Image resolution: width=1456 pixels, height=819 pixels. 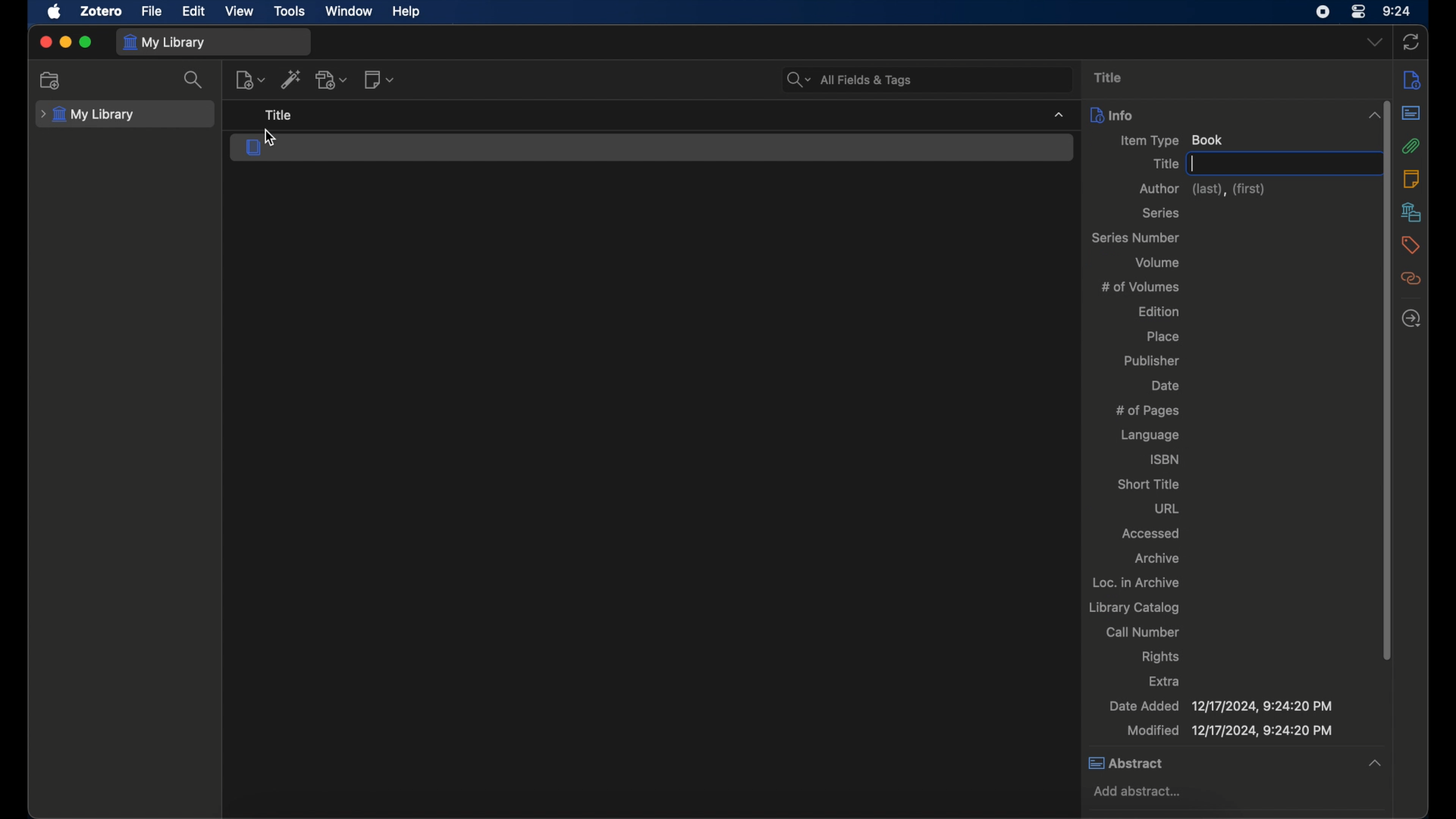 What do you see at coordinates (1388, 380) in the screenshot?
I see `scroll box` at bounding box center [1388, 380].